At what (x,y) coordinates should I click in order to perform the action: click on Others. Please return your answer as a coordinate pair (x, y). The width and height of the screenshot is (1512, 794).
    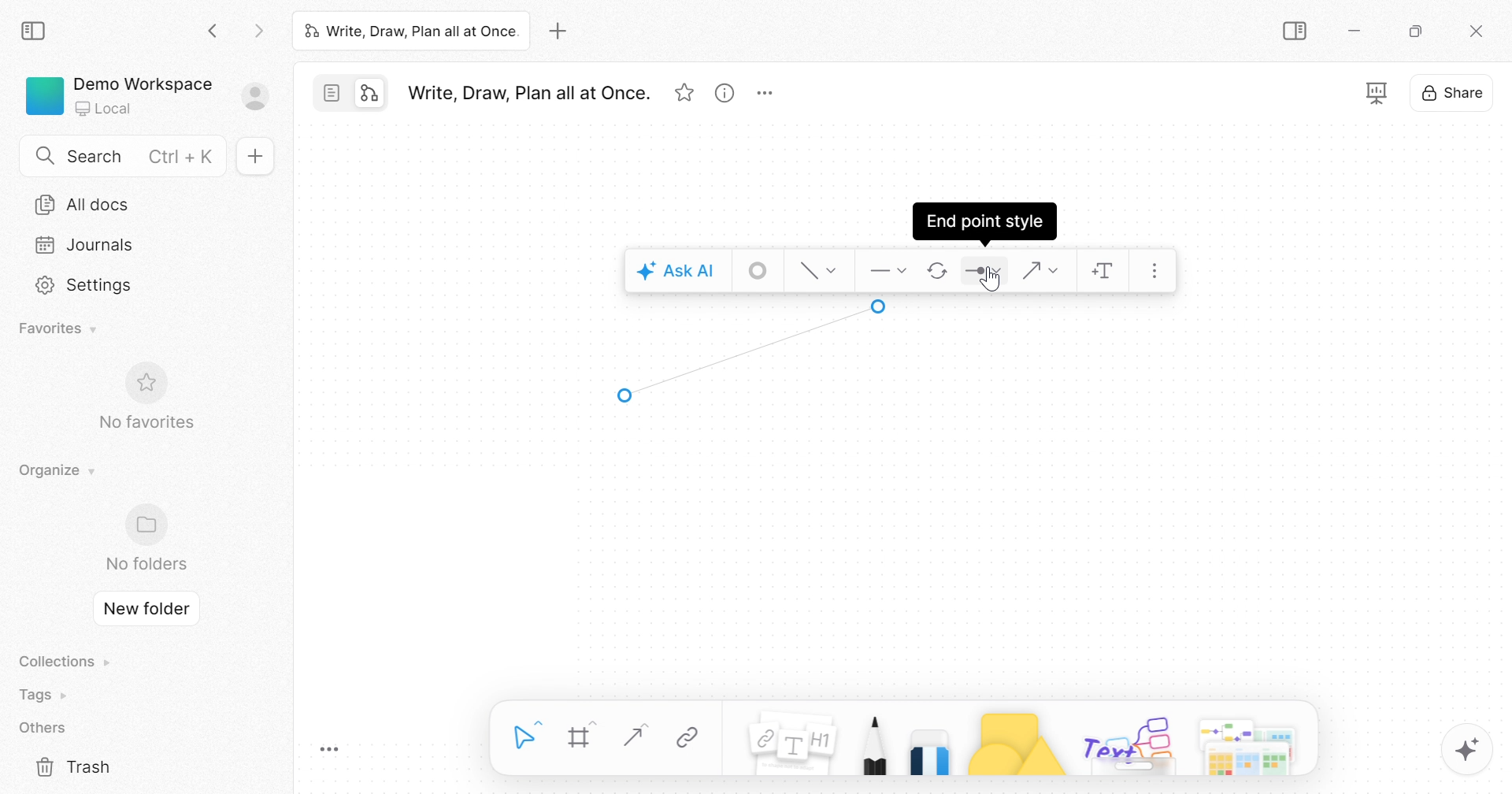
    Looking at the image, I should click on (43, 729).